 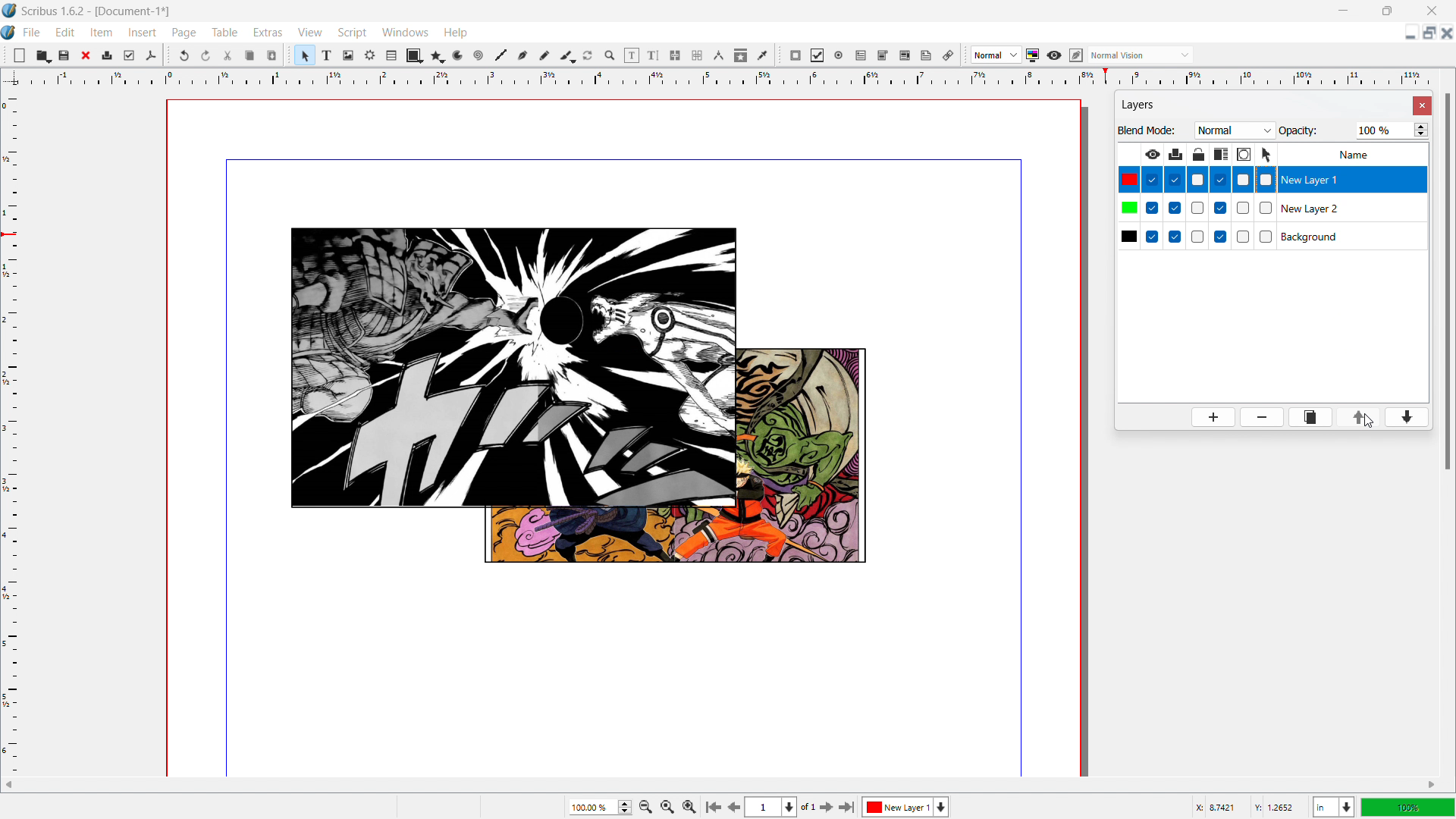 I want to click on lock/unlock layer, so click(x=1198, y=154).